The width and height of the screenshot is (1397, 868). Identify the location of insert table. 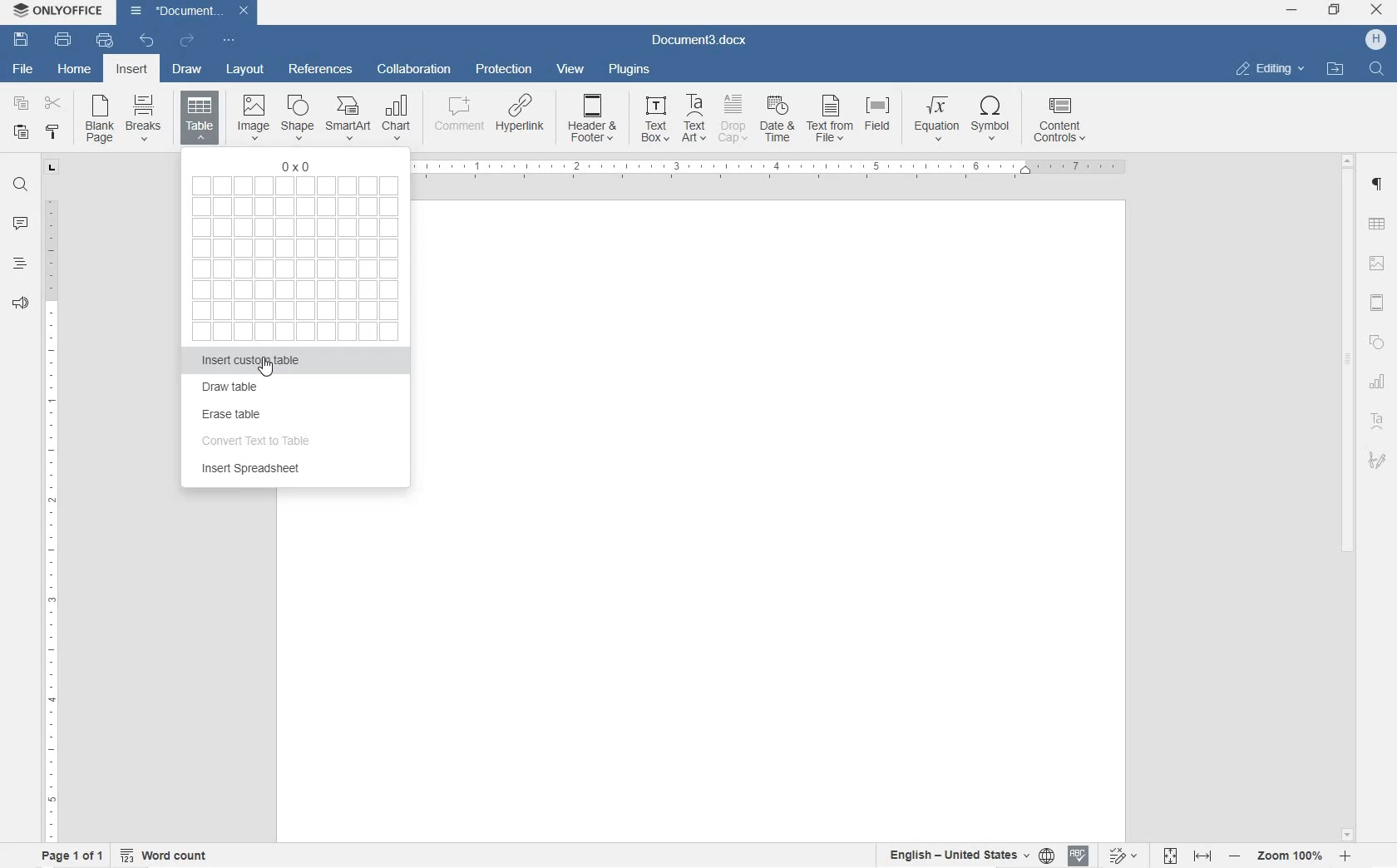
(200, 118).